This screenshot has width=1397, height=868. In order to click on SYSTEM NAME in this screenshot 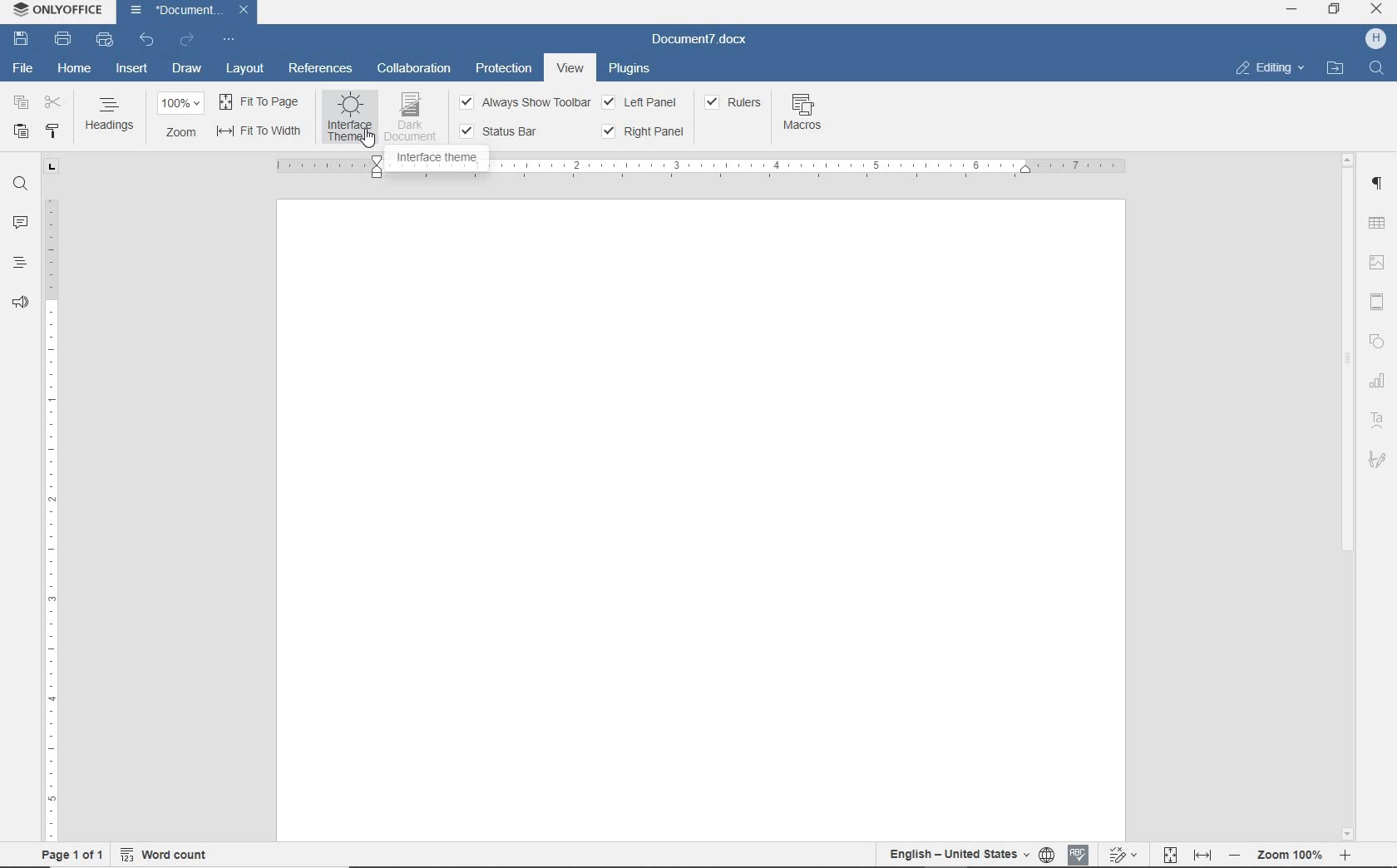, I will do `click(55, 12)`.